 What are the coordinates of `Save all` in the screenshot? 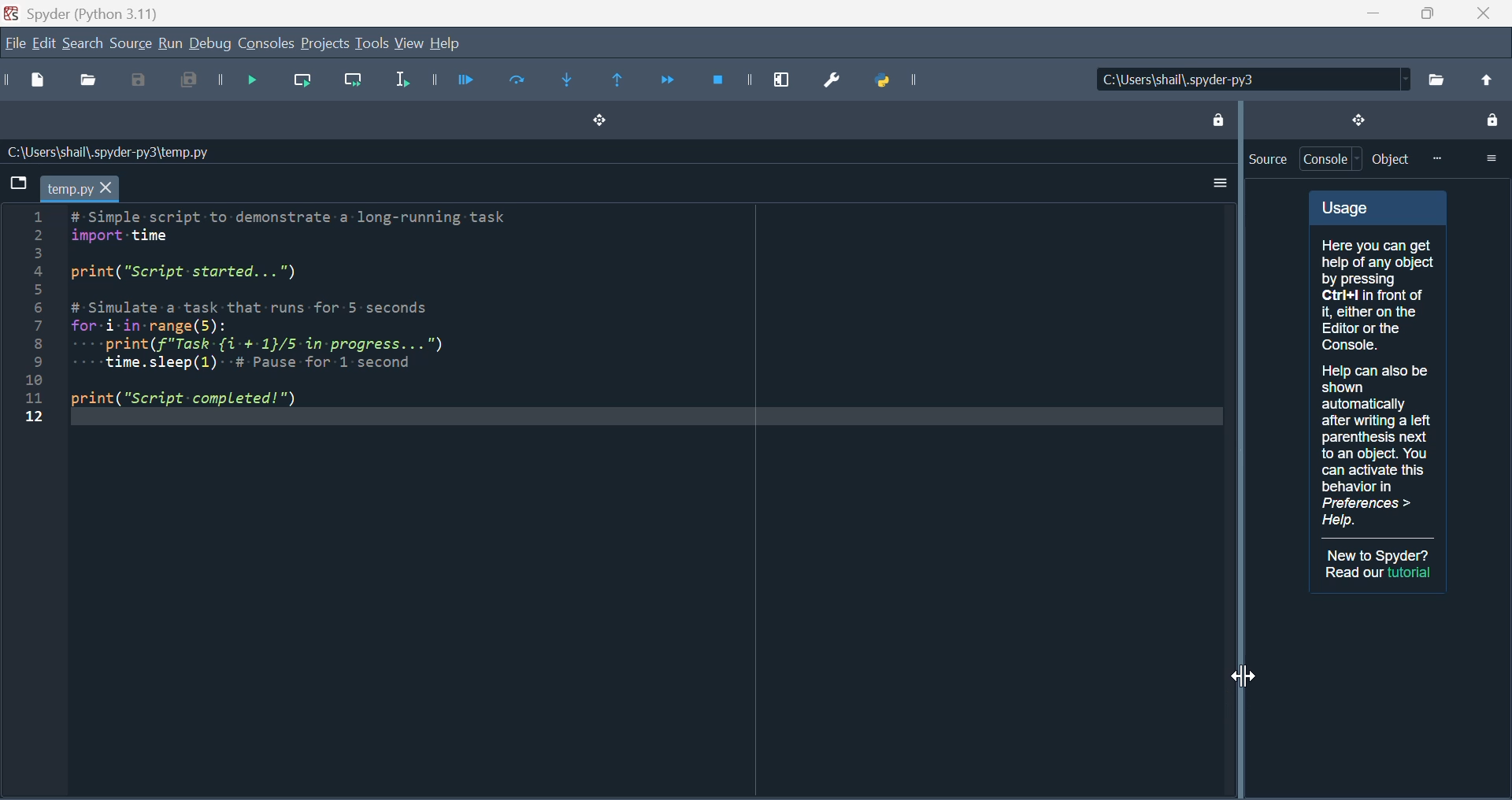 It's located at (183, 83).